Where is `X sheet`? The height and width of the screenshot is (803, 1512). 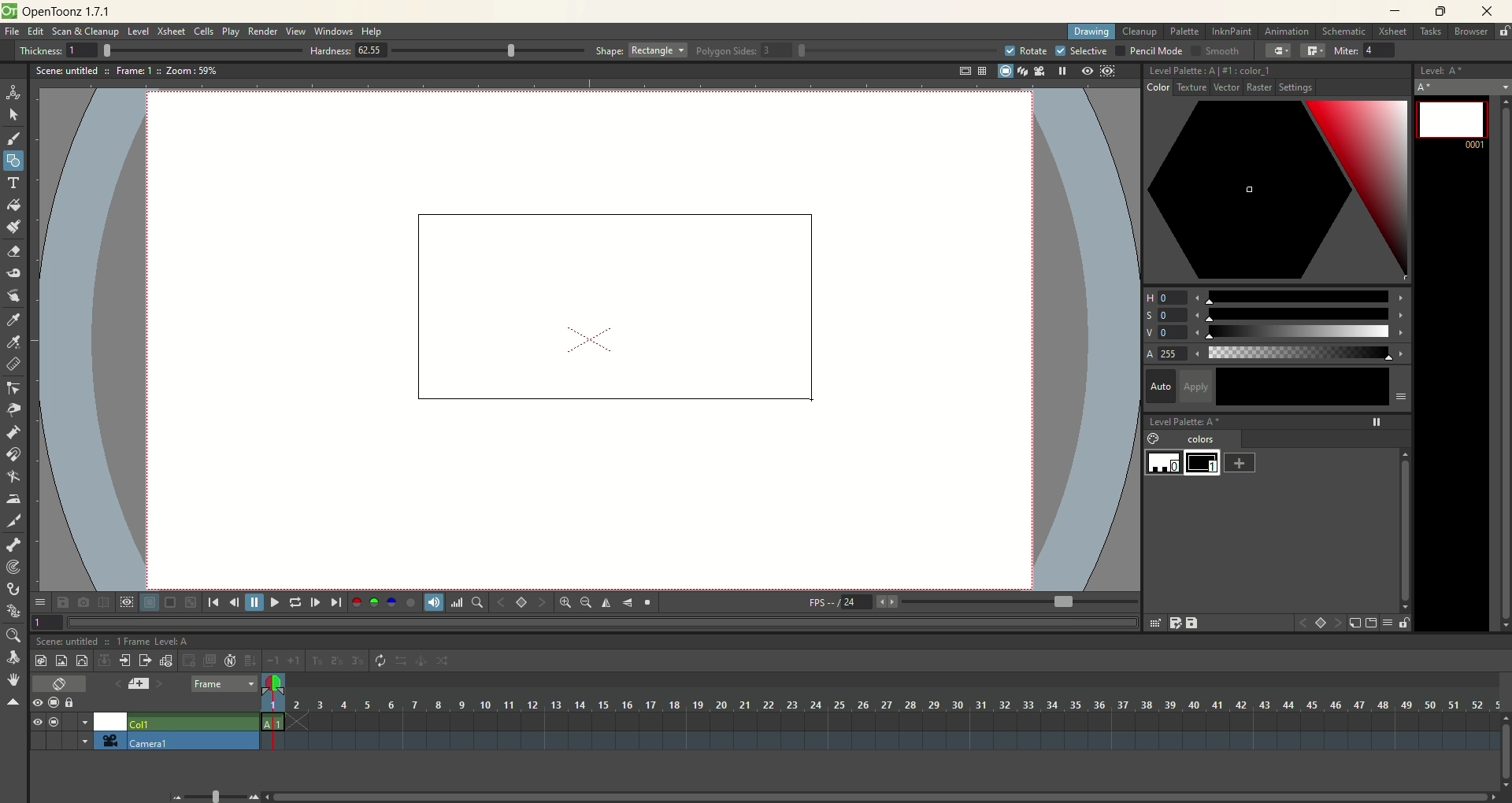
X sheet is located at coordinates (1395, 32).